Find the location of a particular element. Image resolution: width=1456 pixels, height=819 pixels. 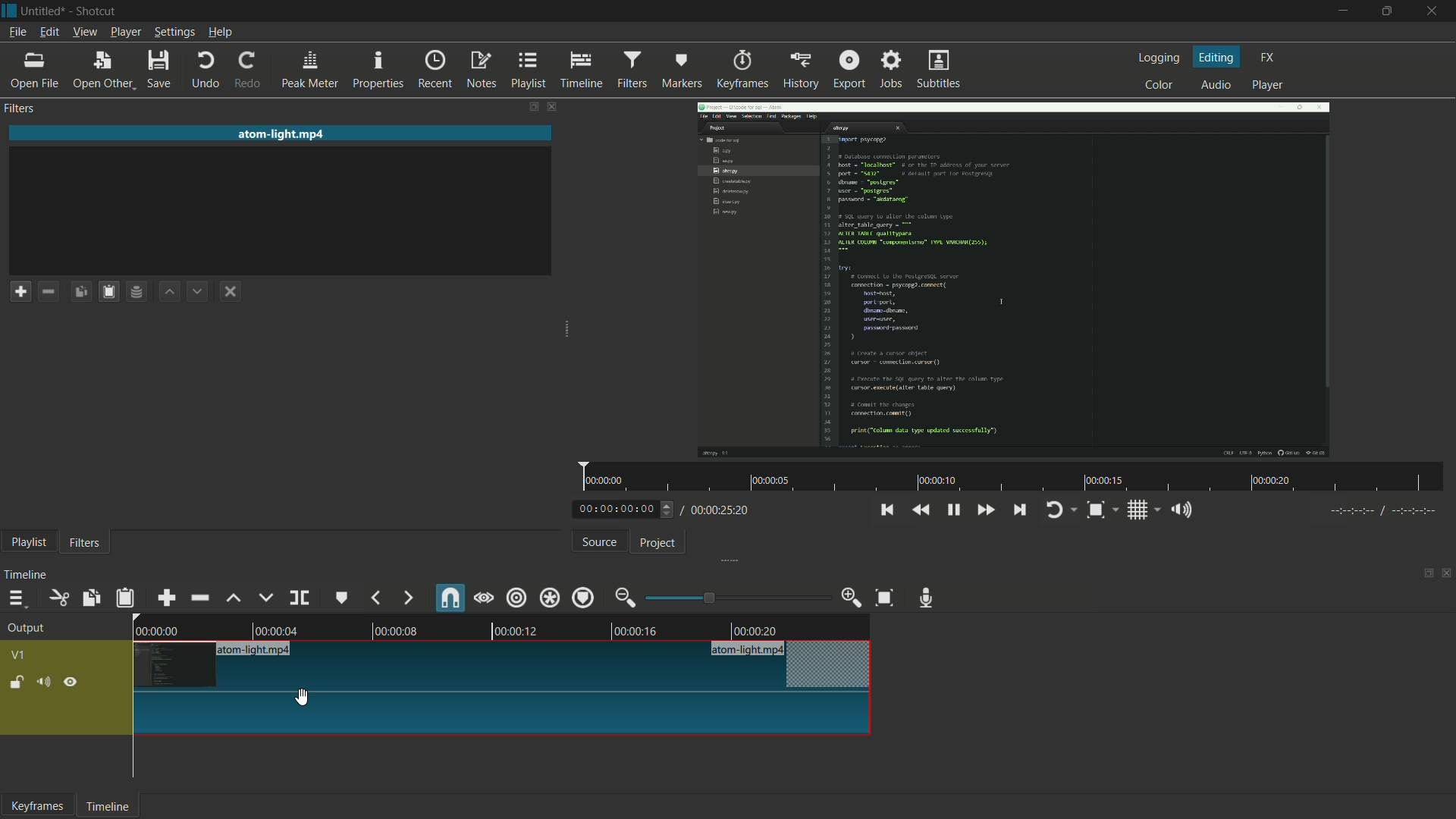

timeline is located at coordinates (582, 71).